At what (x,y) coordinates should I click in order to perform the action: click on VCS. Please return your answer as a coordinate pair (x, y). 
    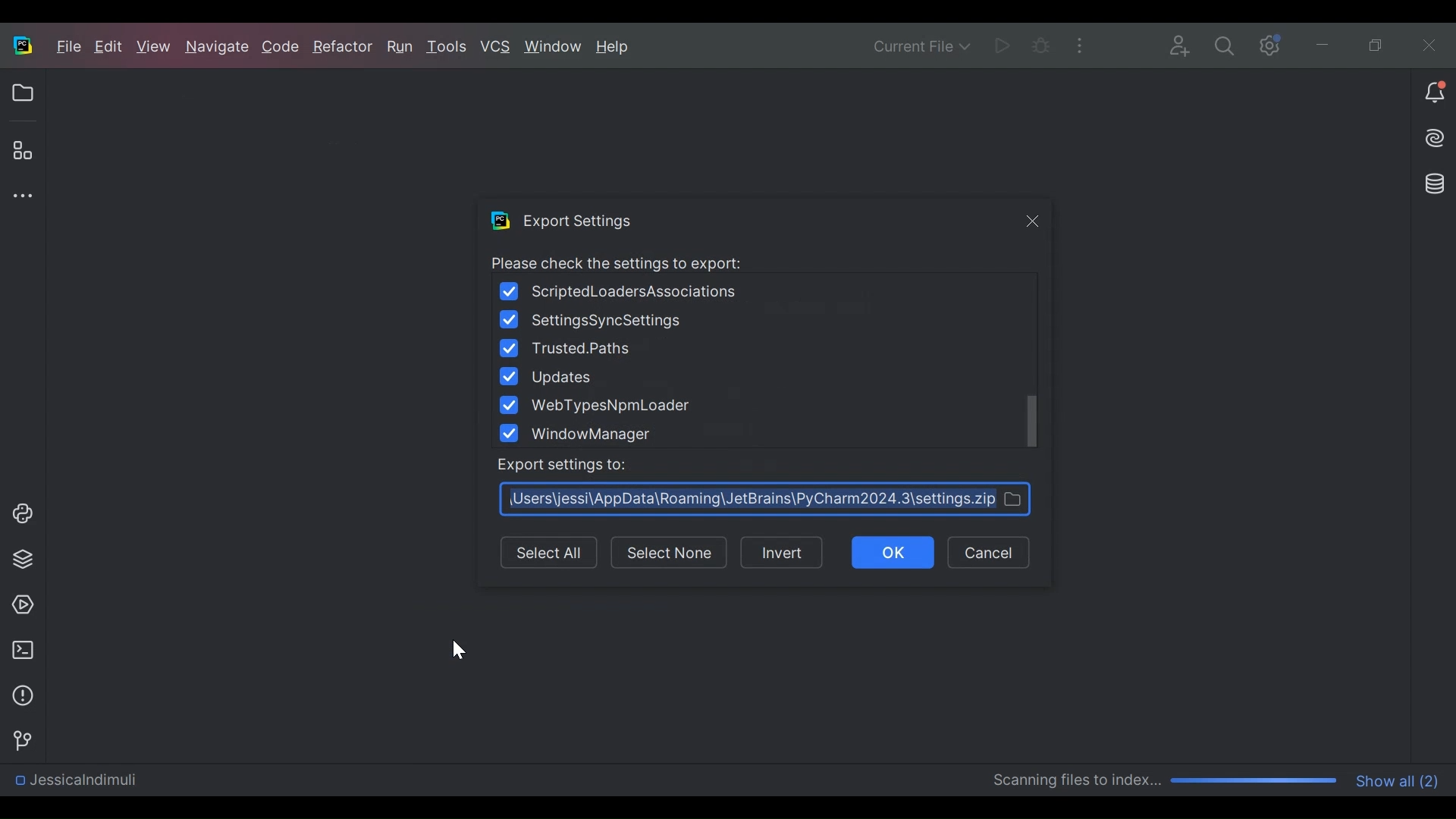
    Looking at the image, I should click on (496, 48).